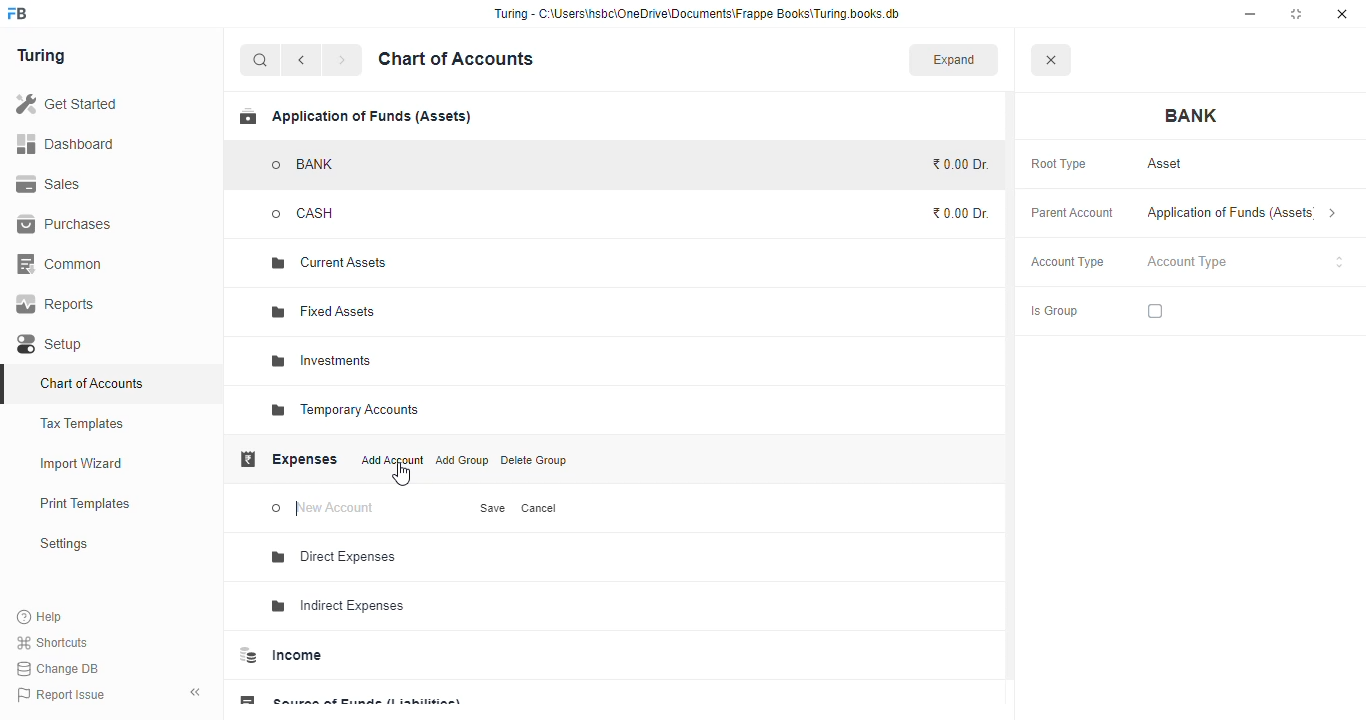 This screenshot has width=1366, height=720. I want to click on sales, so click(49, 184).